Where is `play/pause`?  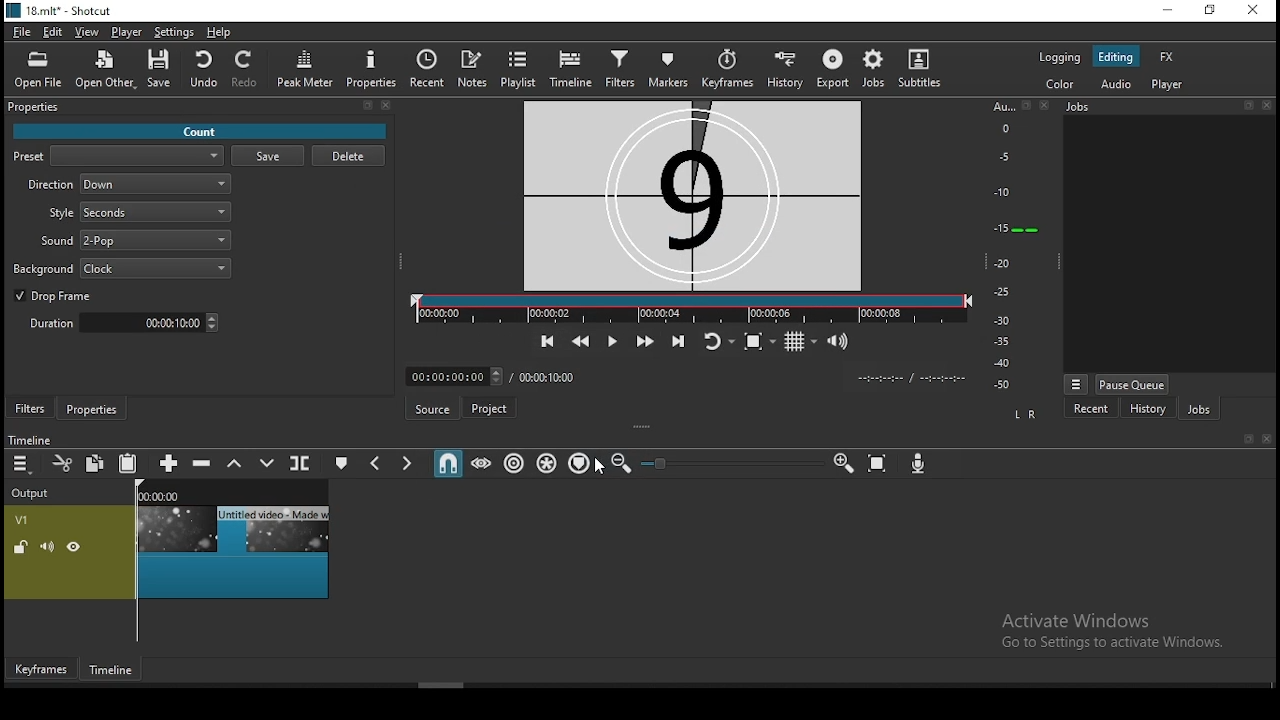 play/pause is located at coordinates (609, 341).